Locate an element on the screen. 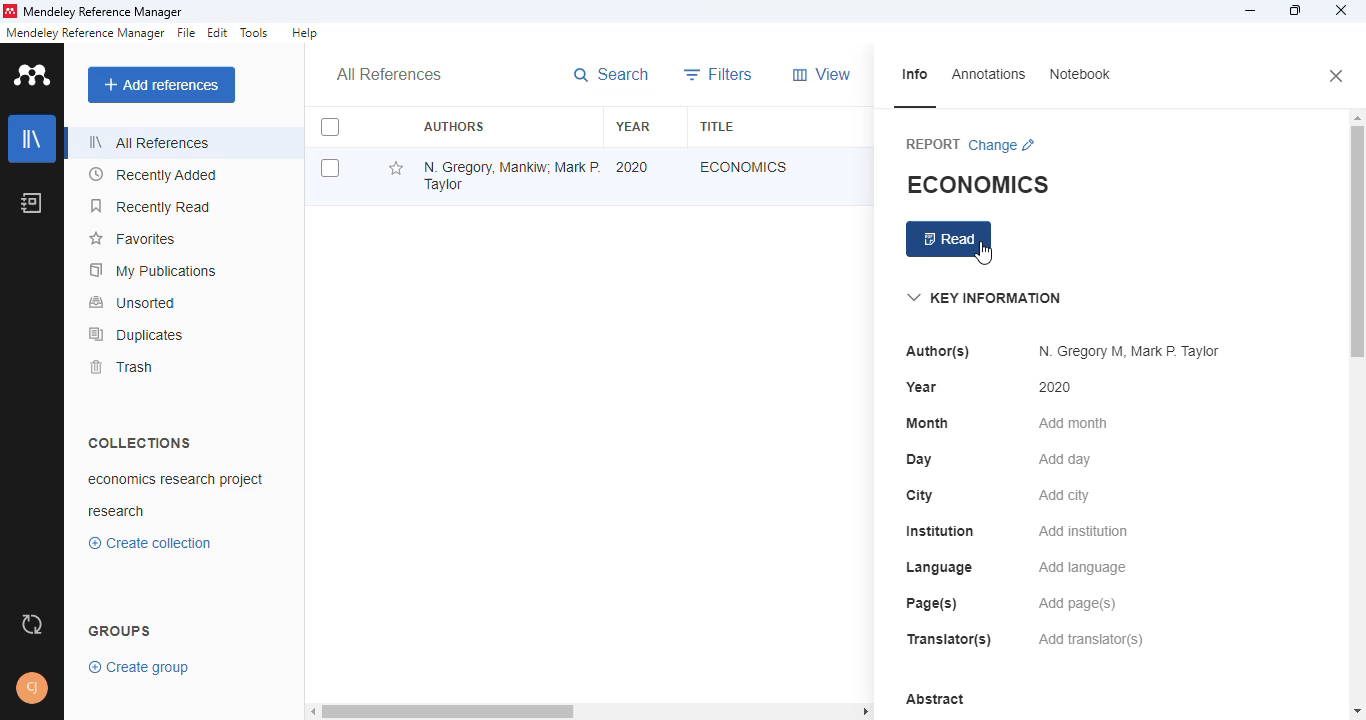  all references is located at coordinates (152, 142).